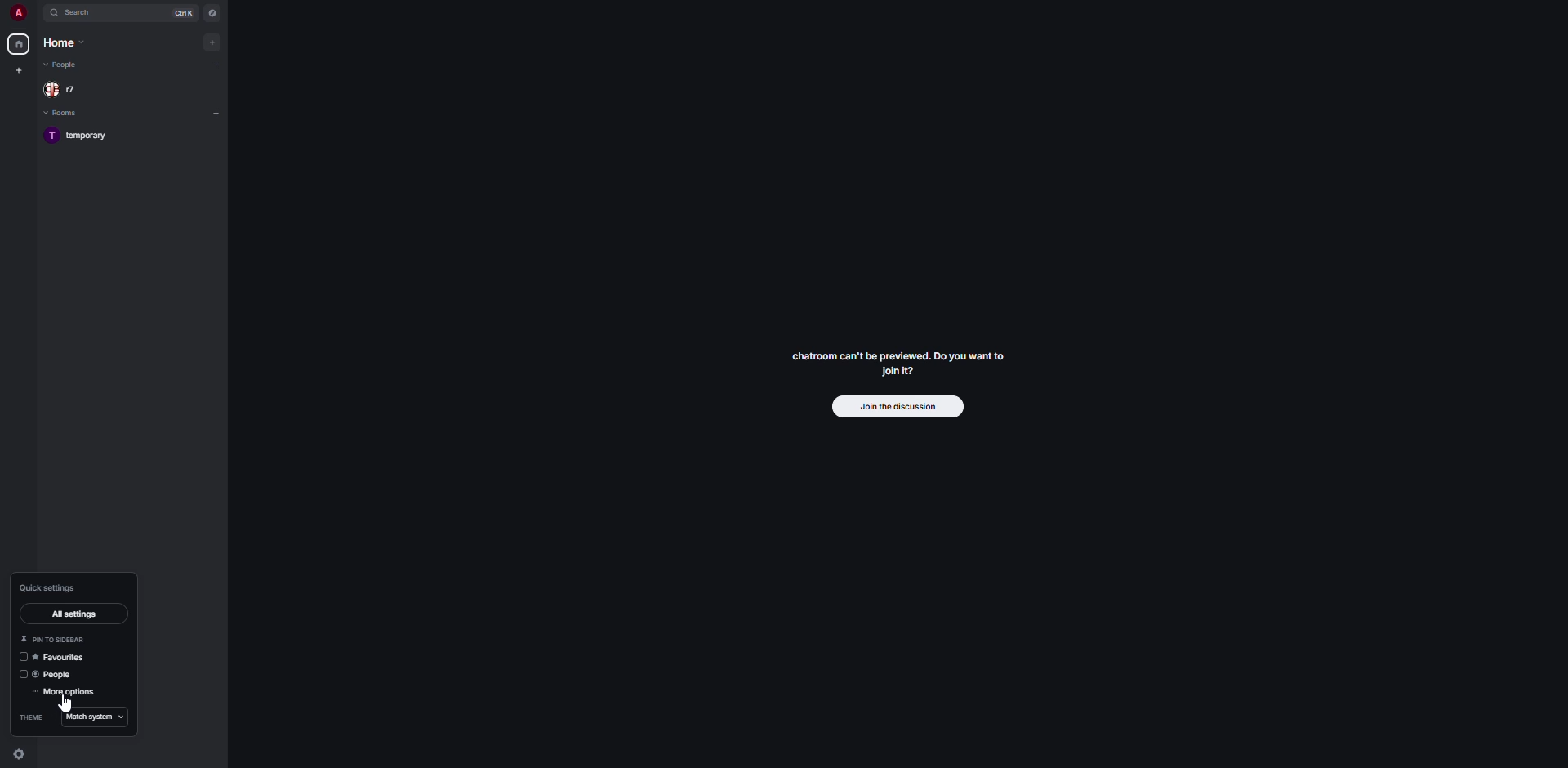  I want to click on add, so click(216, 64).